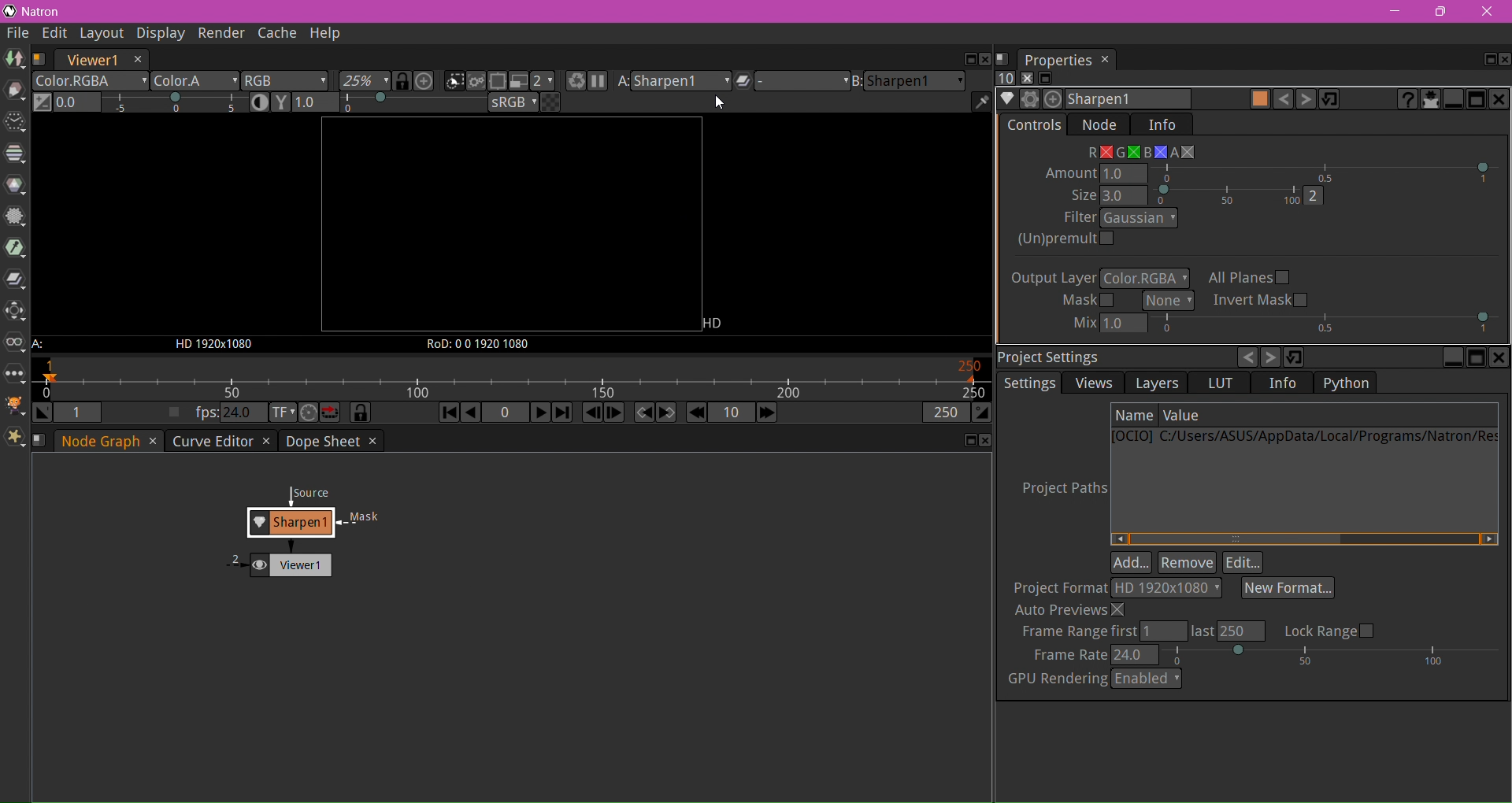 The image size is (1512, 803). What do you see at coordinates (539, 412) in the screenshot?
I see `Play Forward` at bounding box center [539, 412].